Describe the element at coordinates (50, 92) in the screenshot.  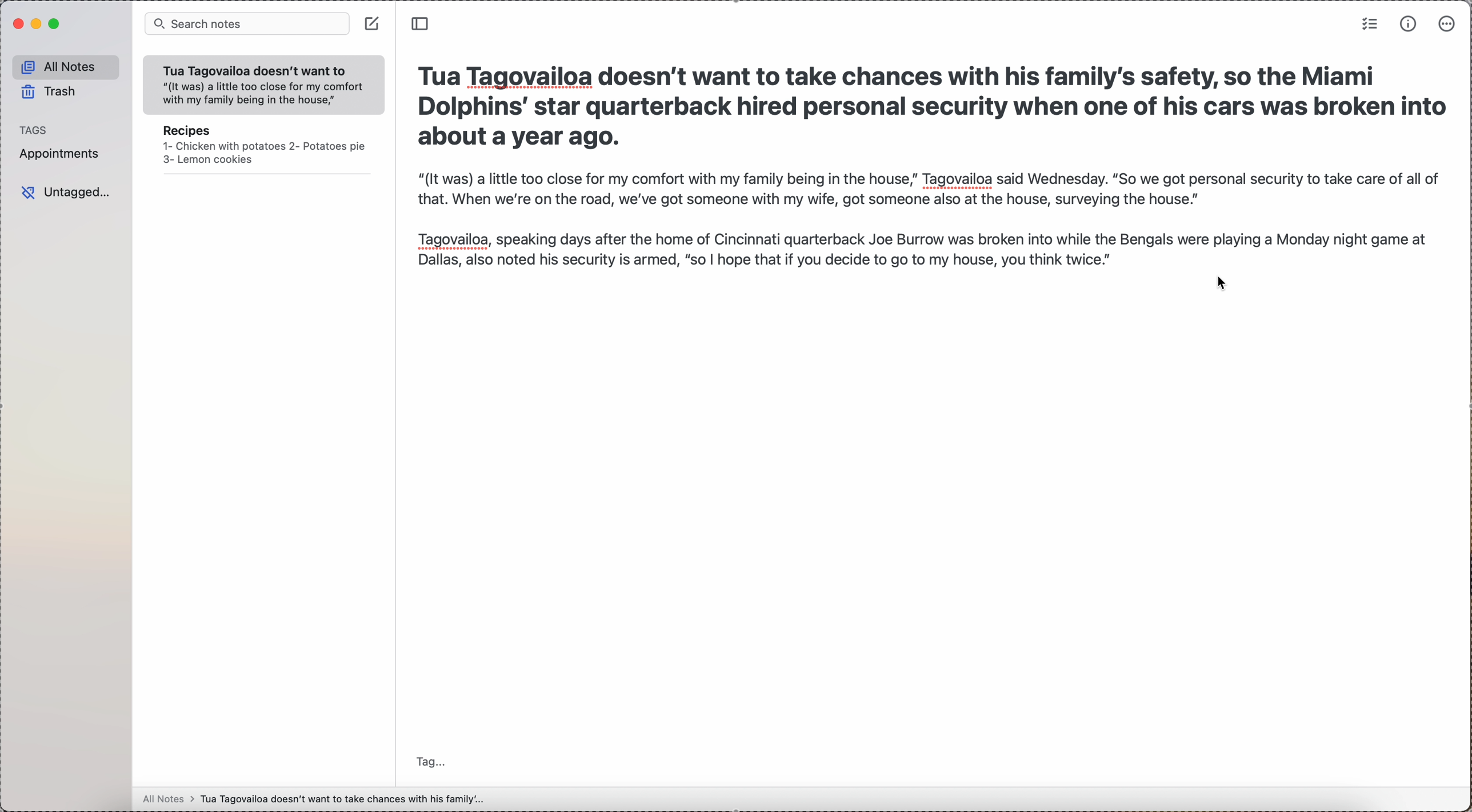
I see `trash` at that location.